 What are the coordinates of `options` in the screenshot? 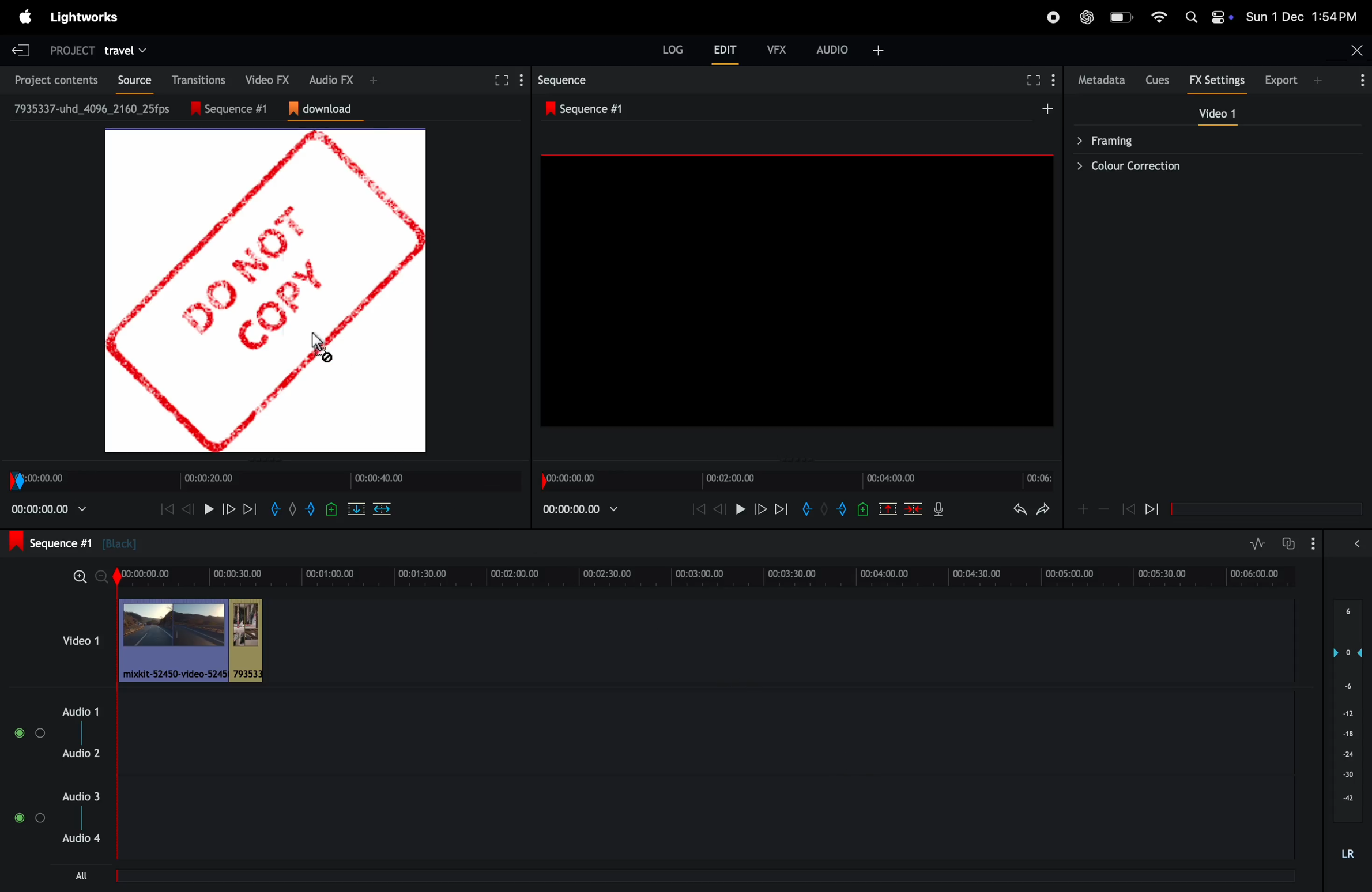 It's located at (29, 818).